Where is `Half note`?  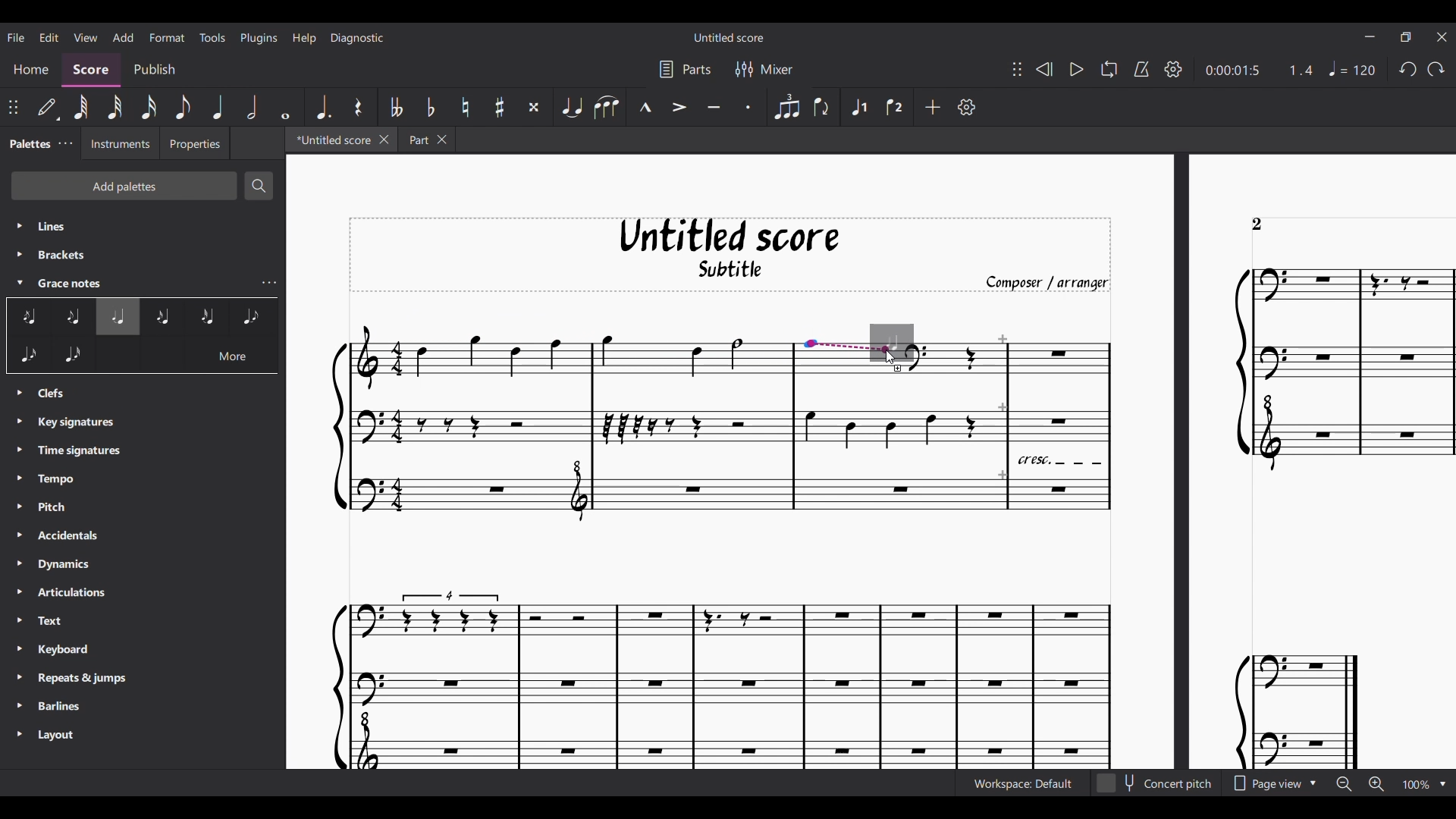 Half note is located at coordinates (251, 107).